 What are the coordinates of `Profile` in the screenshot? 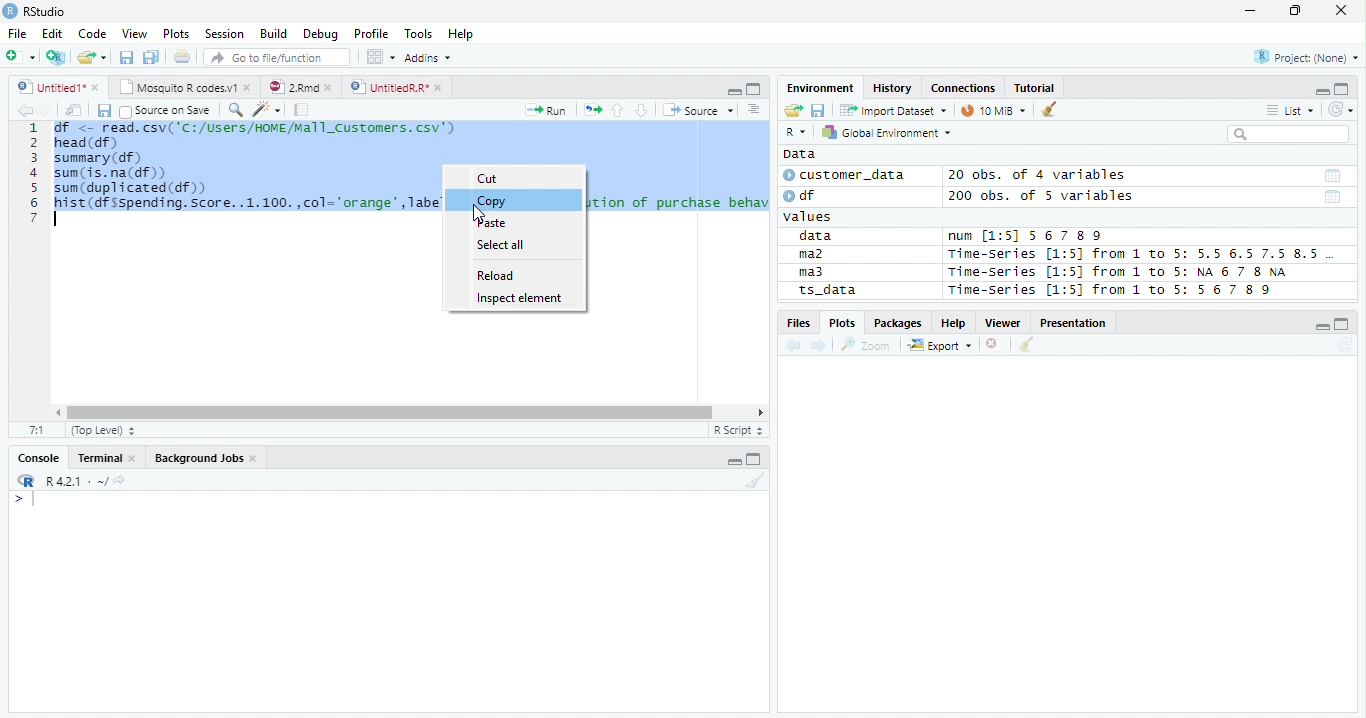 It's located at (370, 34).